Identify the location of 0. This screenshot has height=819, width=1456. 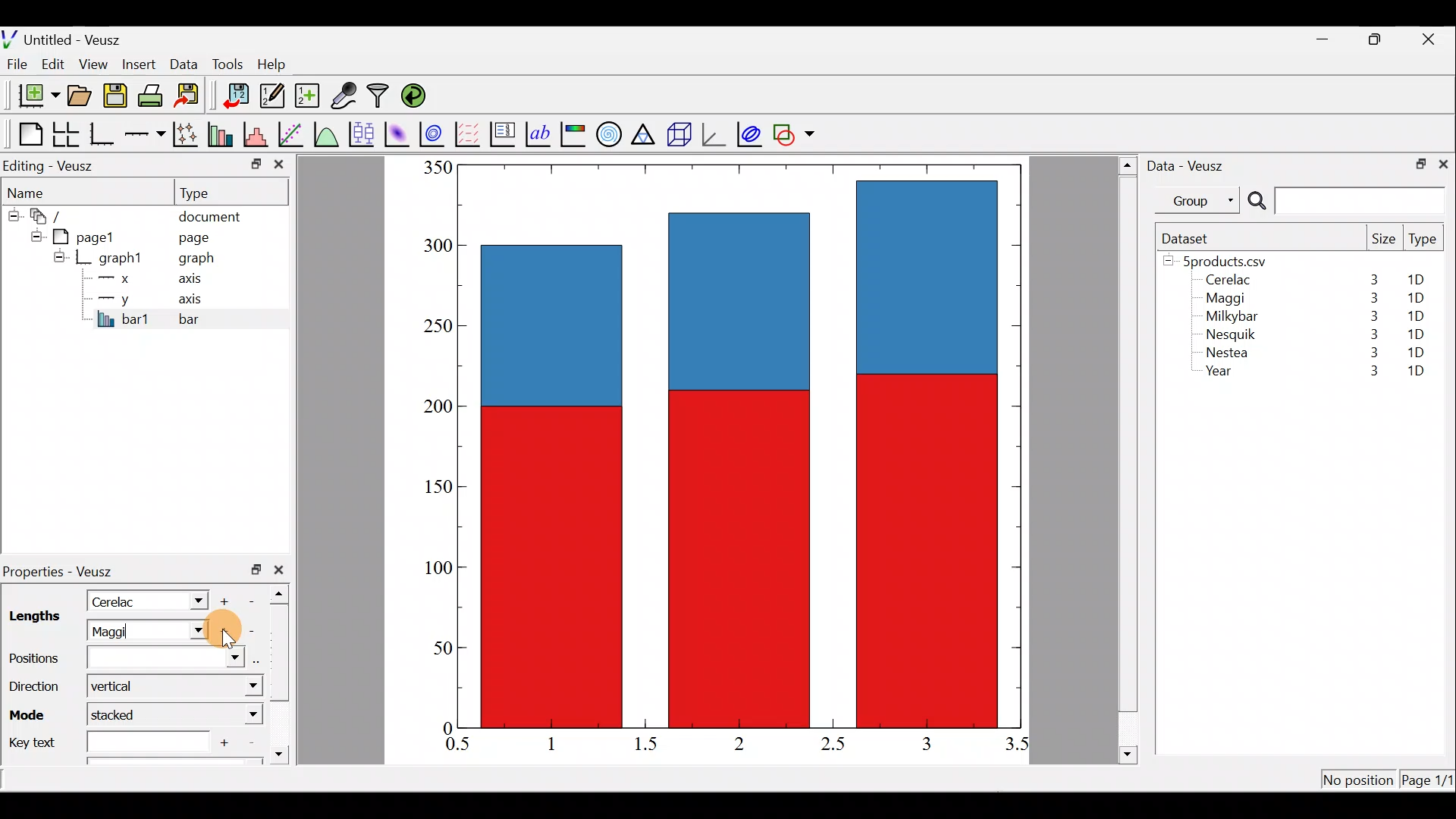
(445, 727).